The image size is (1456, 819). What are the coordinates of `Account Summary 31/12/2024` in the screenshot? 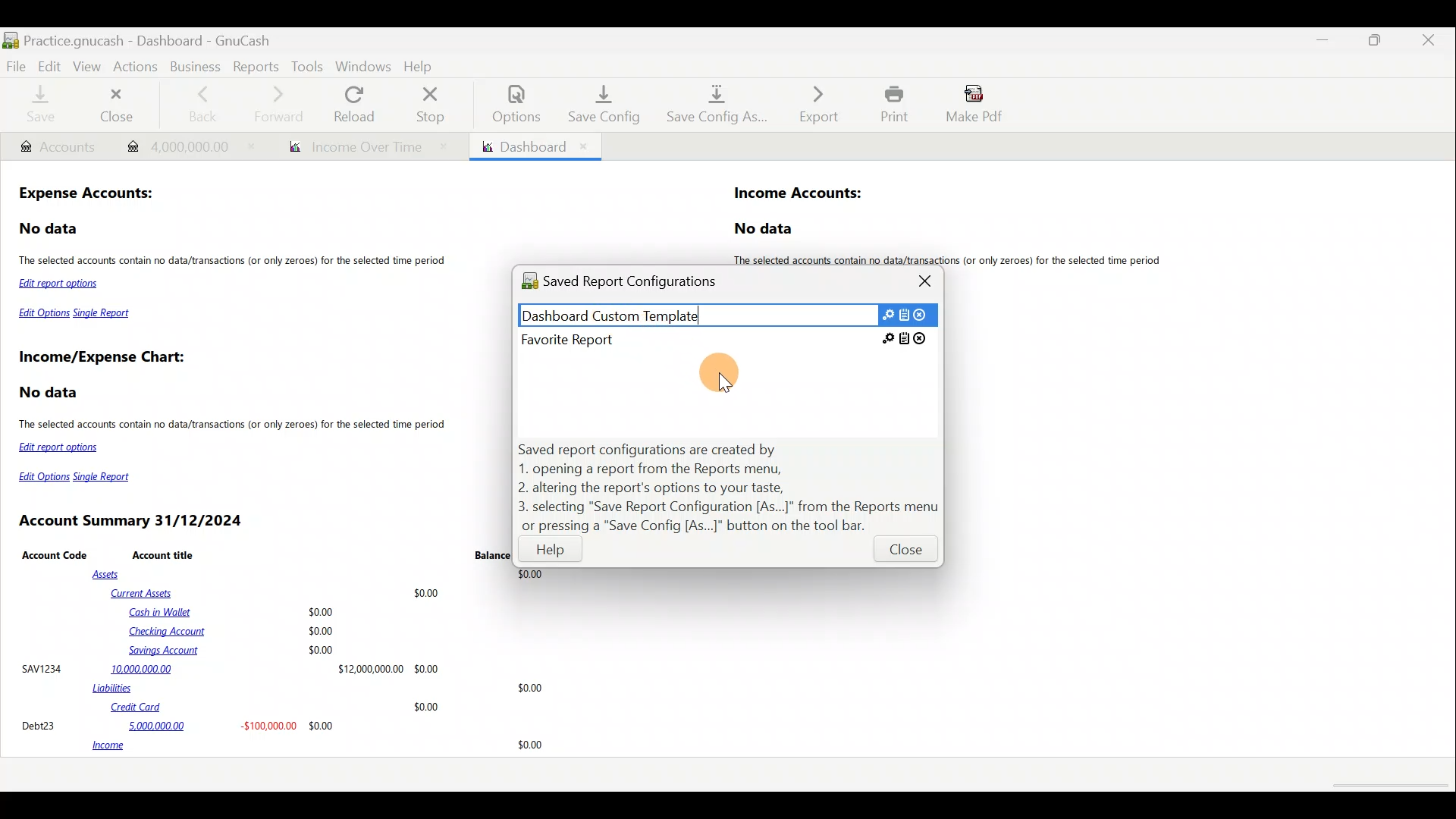 It's located at (133, 521).